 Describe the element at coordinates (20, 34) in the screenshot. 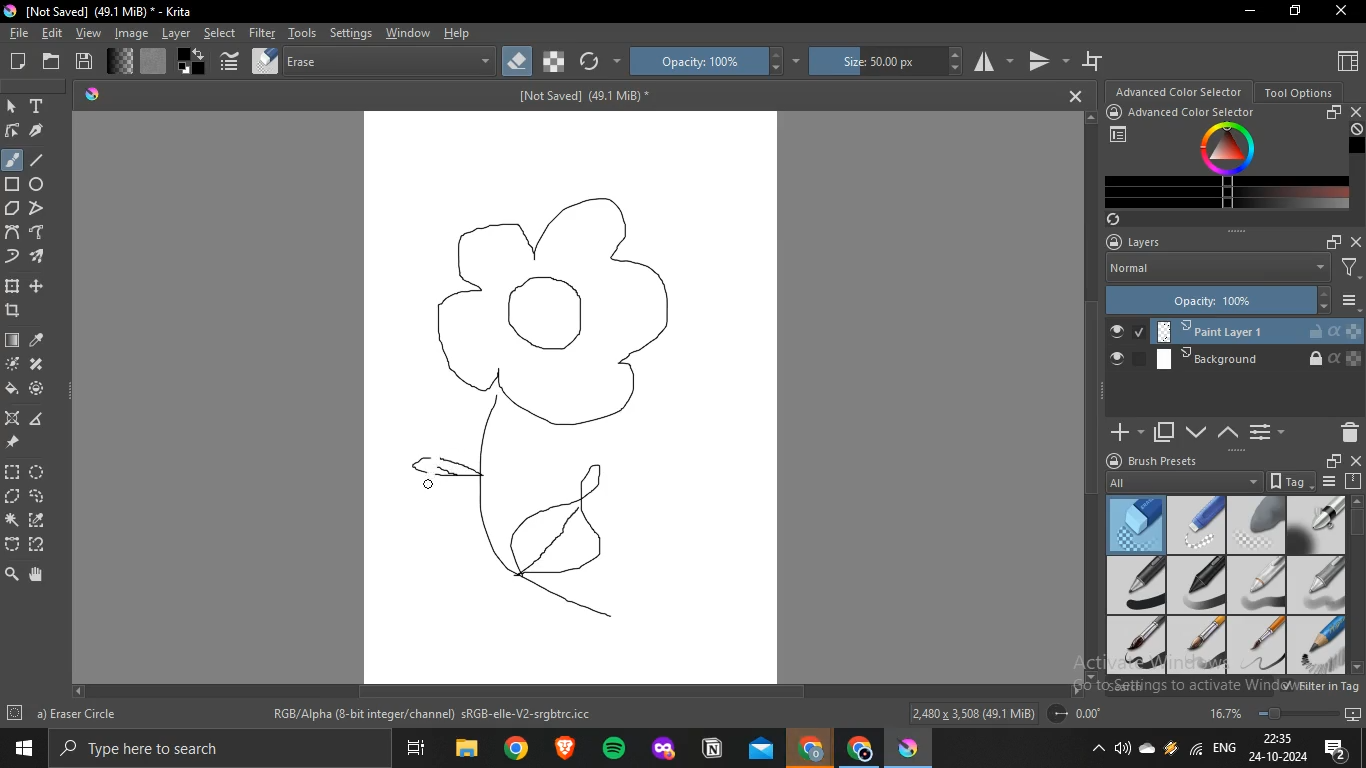

I see `file` at that location.